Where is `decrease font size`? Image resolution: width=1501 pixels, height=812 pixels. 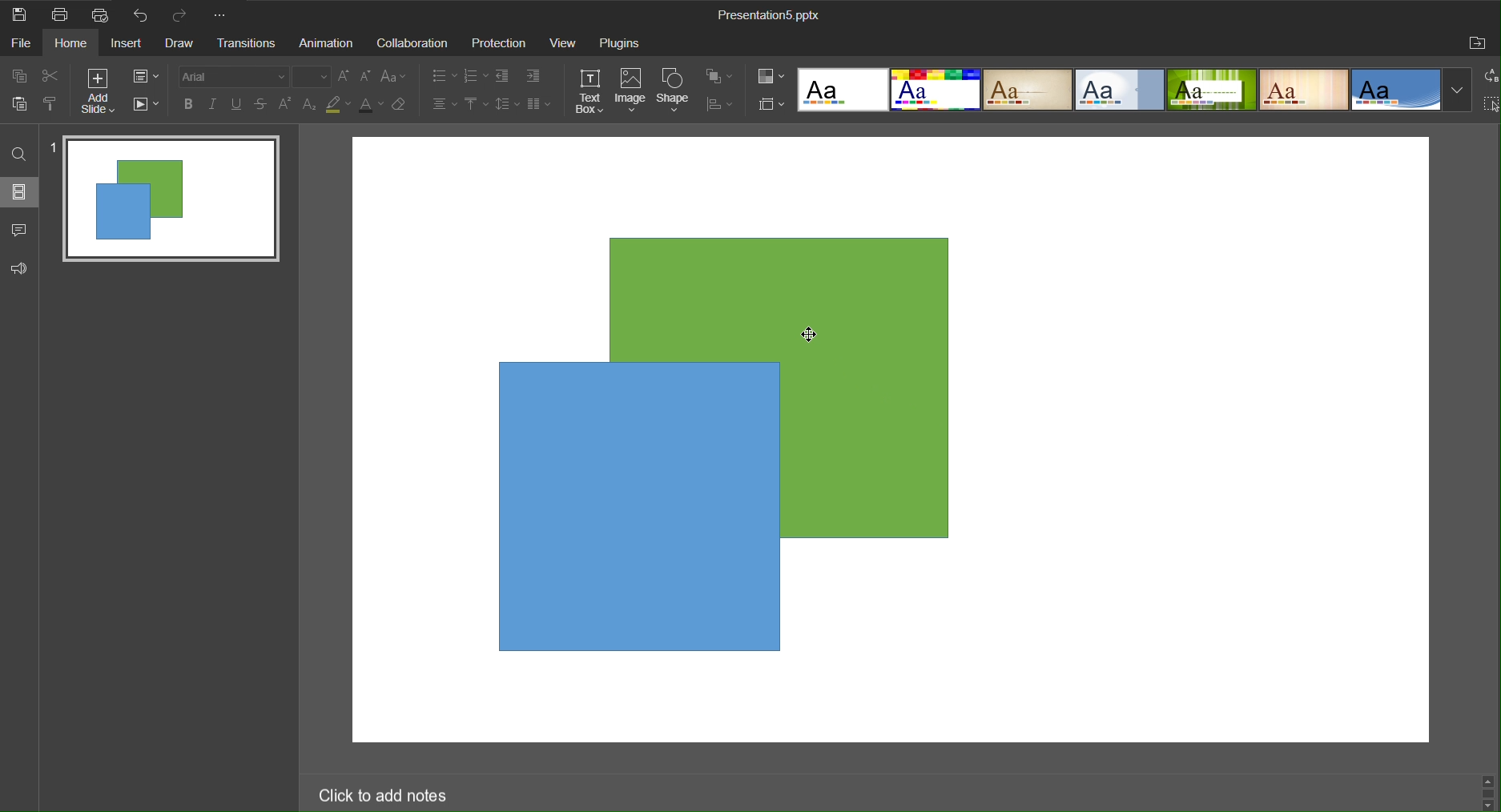
decrease font size is located at coordinates (367, 76).